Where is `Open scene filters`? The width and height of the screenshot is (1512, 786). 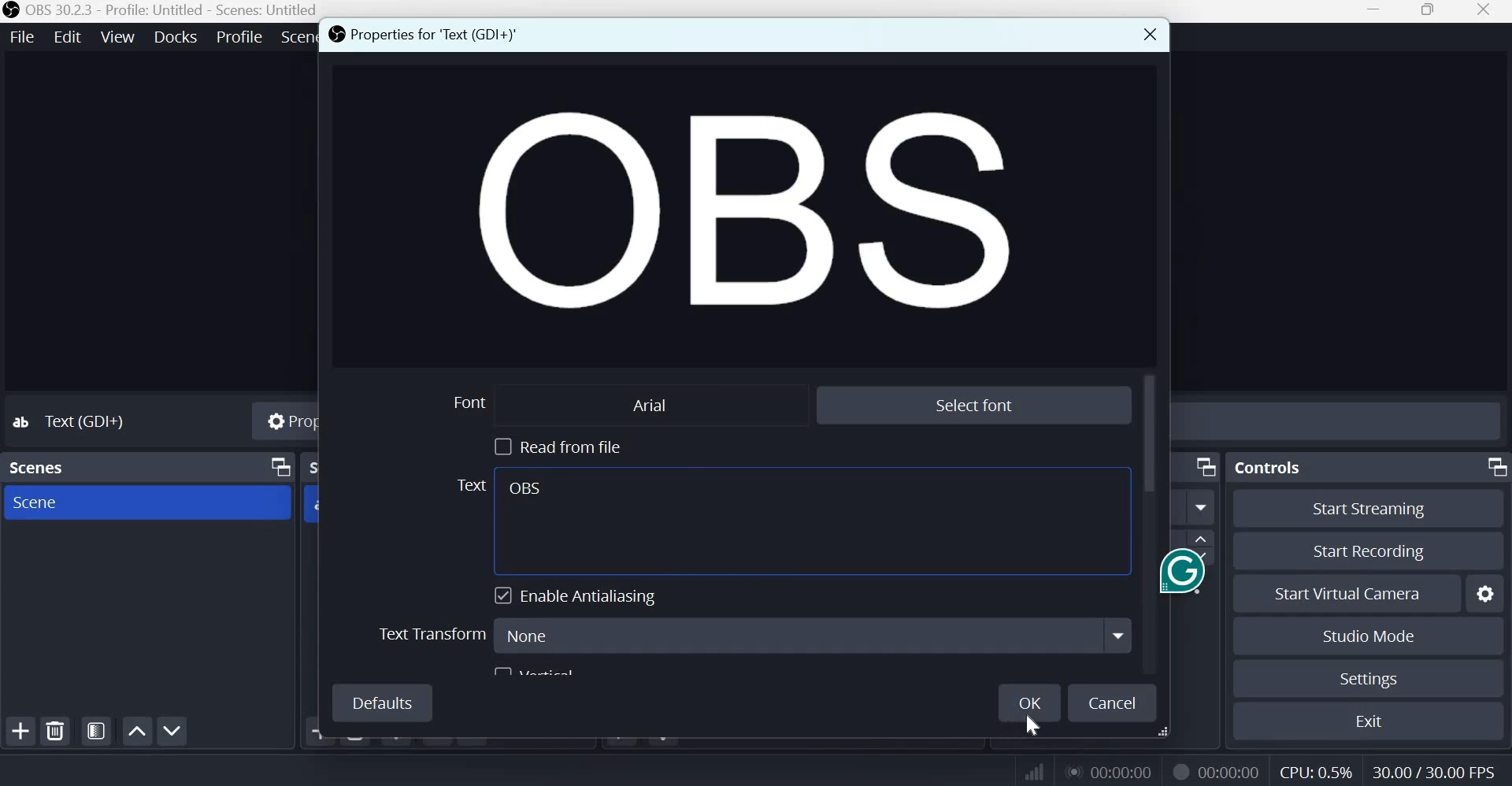
Open scene filters is located at coordinates (96, 732).